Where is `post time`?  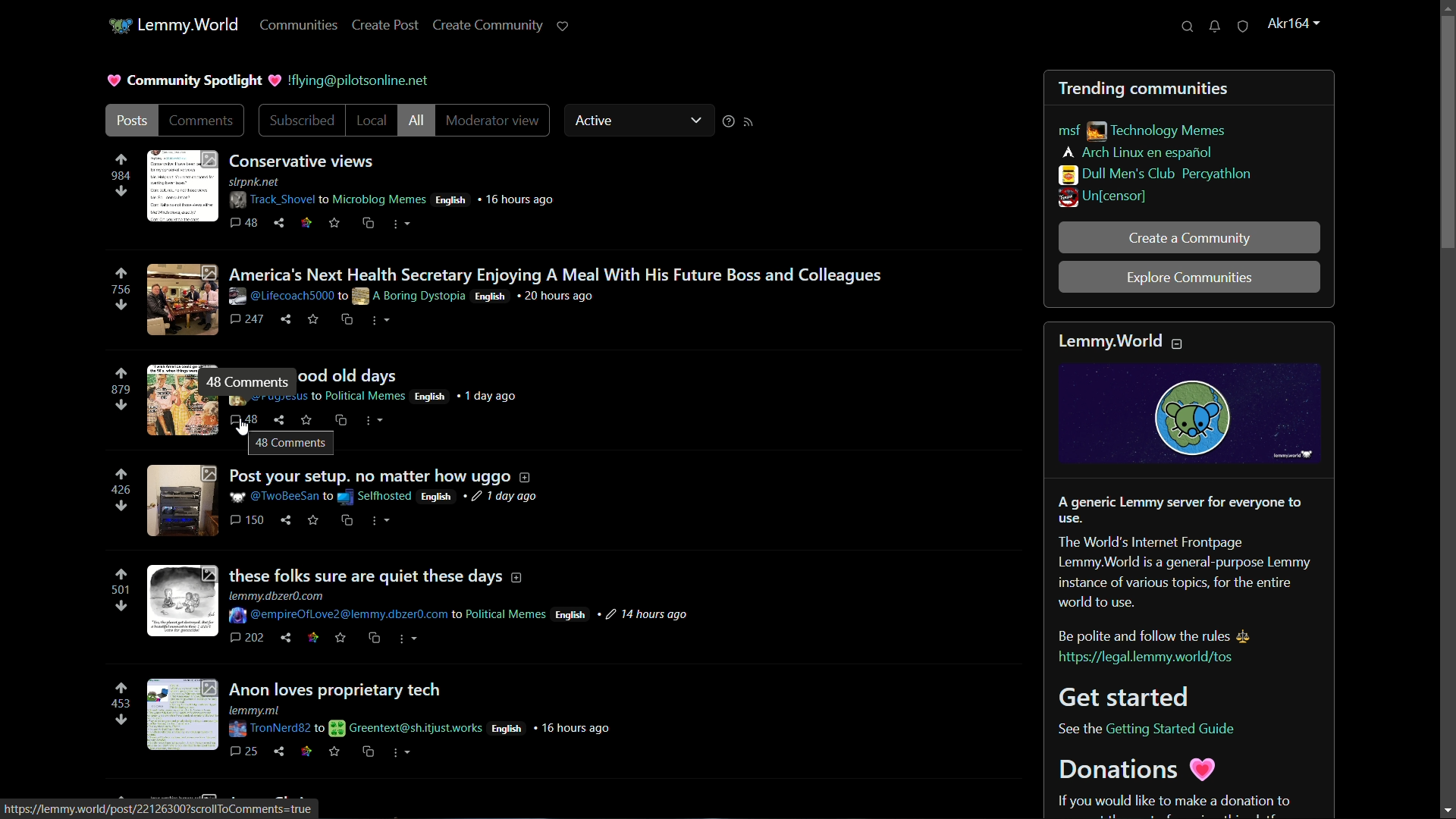 post time is located at coordinates (492, 395).